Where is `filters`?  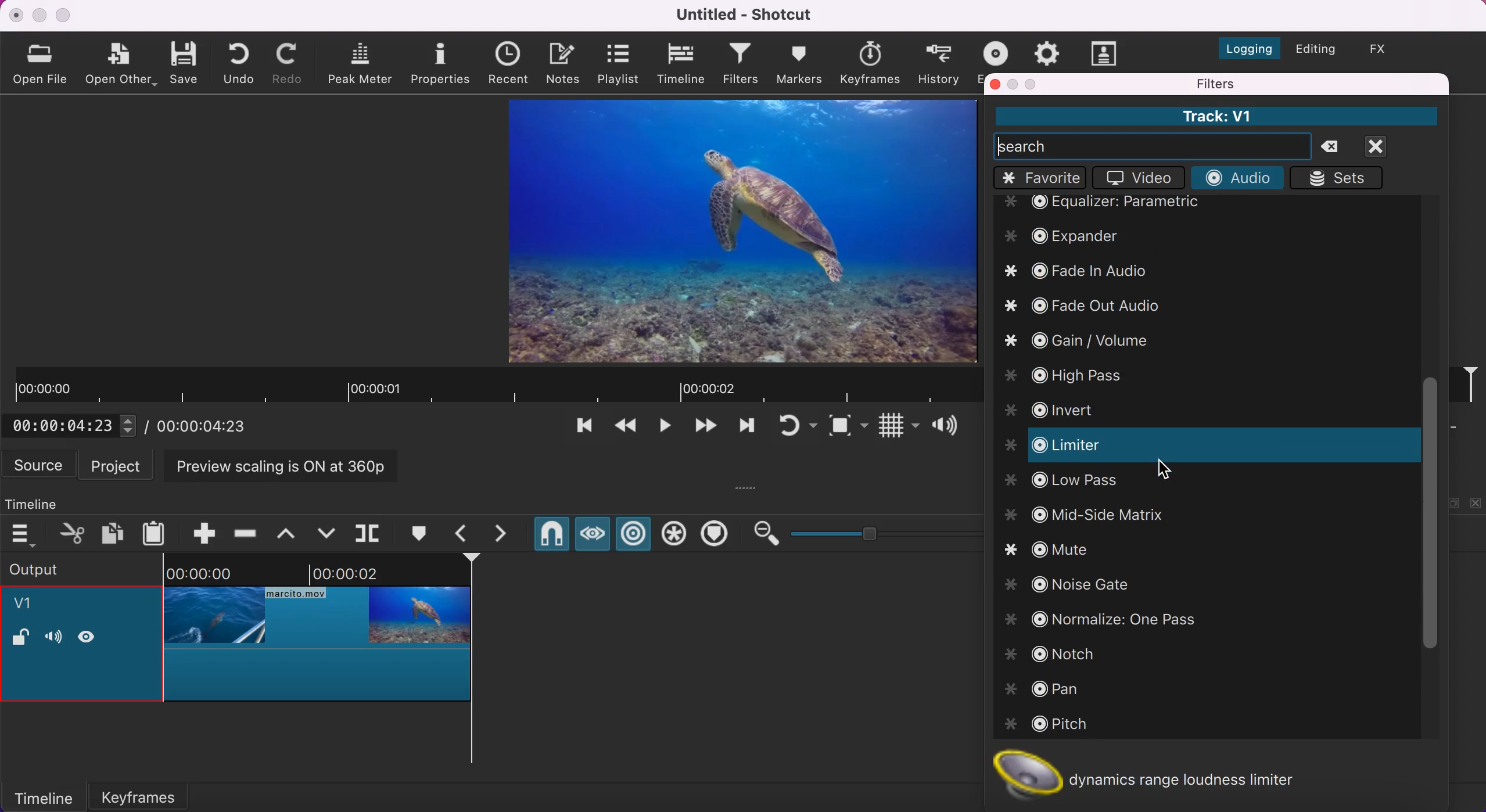 filters is located at coordinates (742, 65).